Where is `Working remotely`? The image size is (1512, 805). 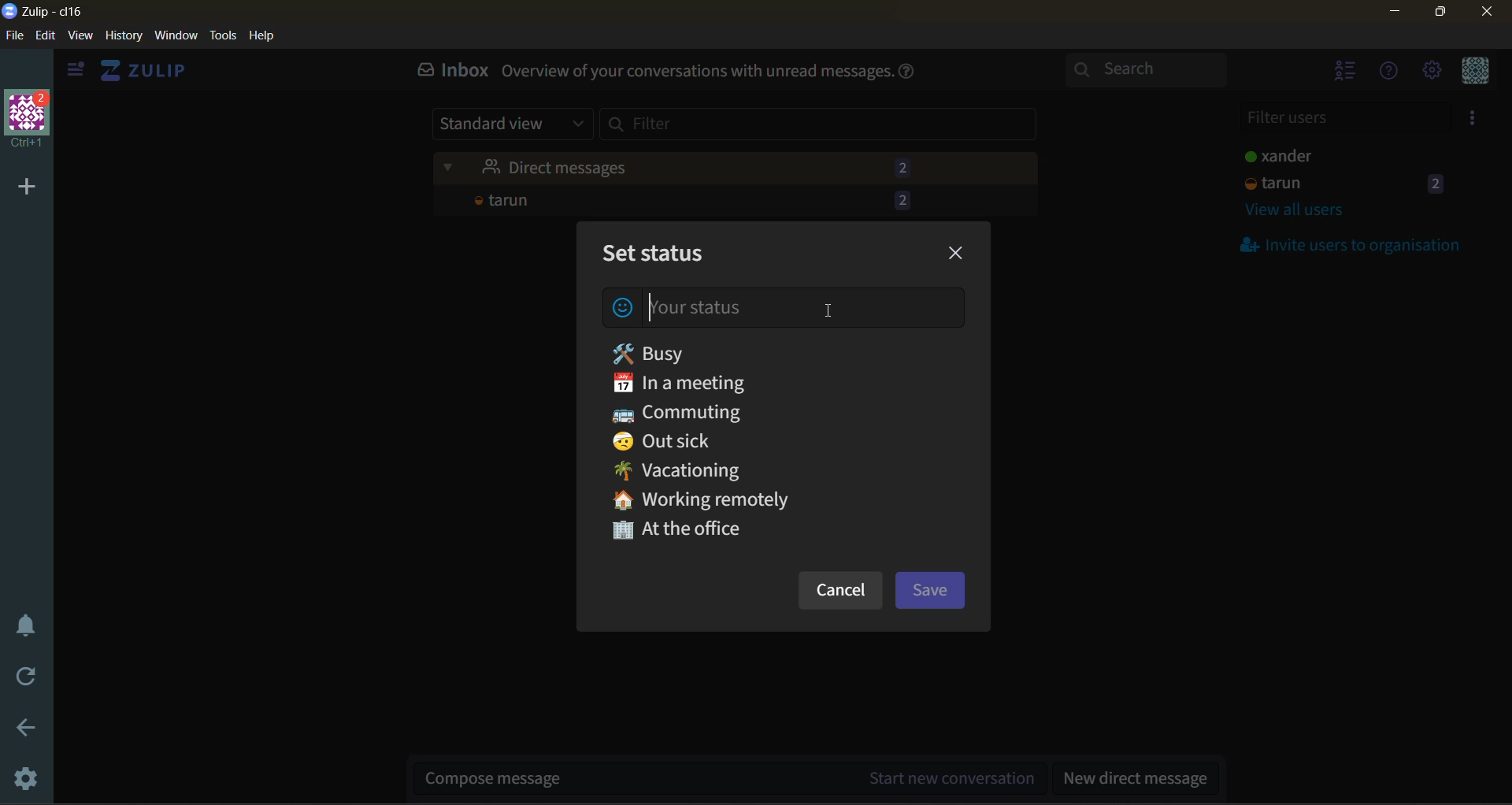
Working remotely is located at coordinates (717, 499).